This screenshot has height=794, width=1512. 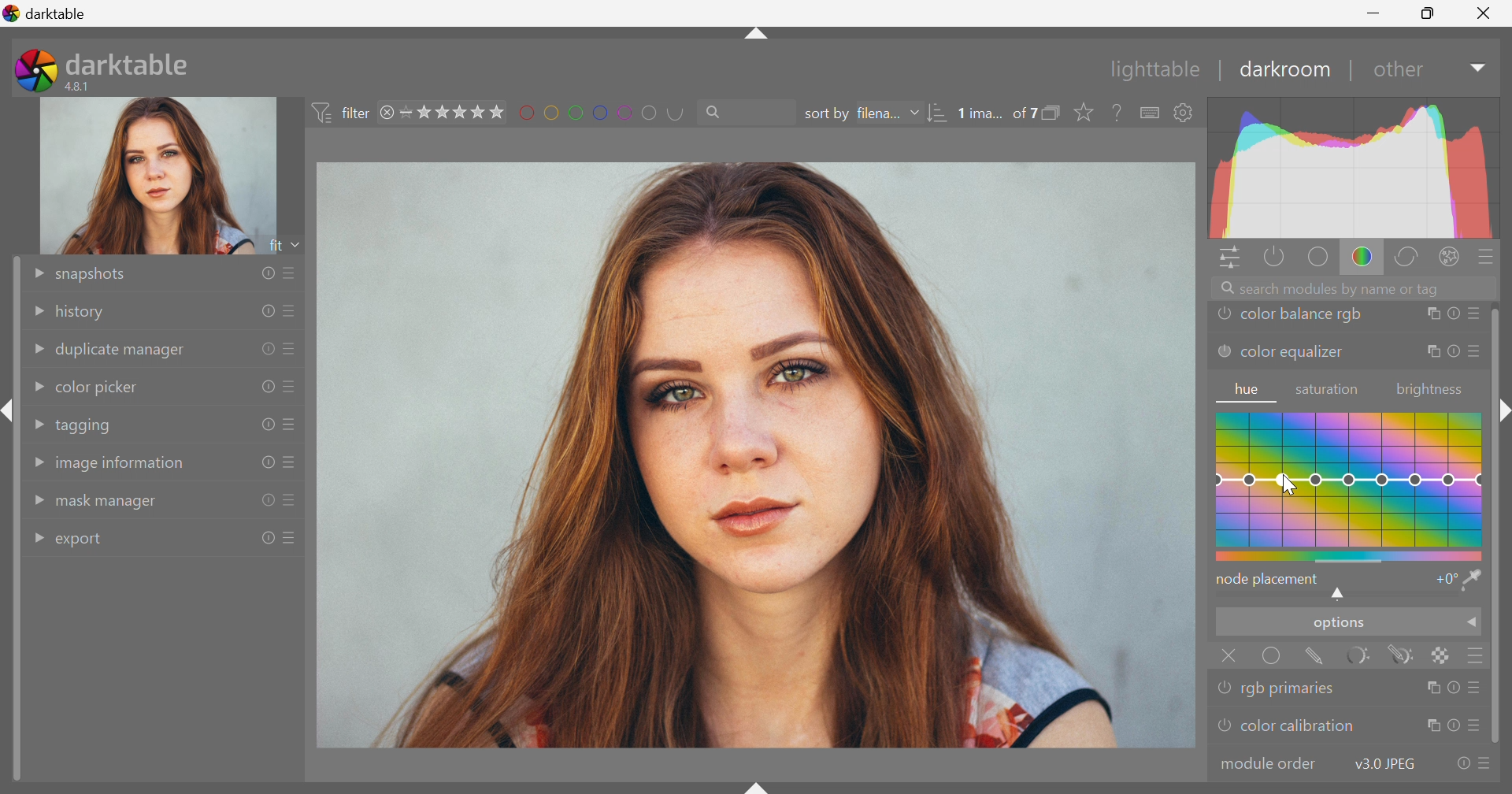 What do you see at coordinates (1450, 255) in the screenshot?
I see `effect` at bounding box center [1450, 255].